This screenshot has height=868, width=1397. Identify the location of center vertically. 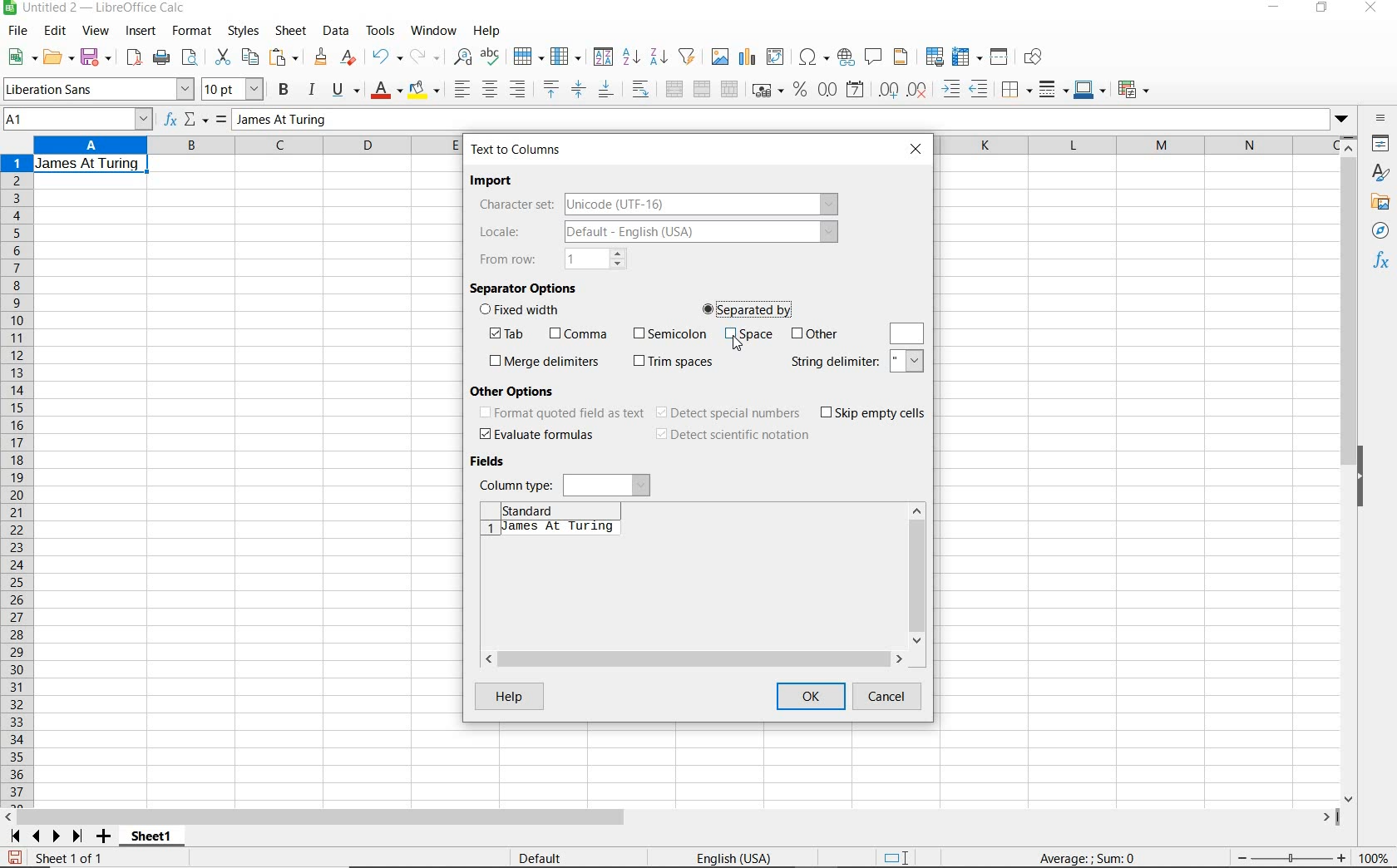
(580, 89).